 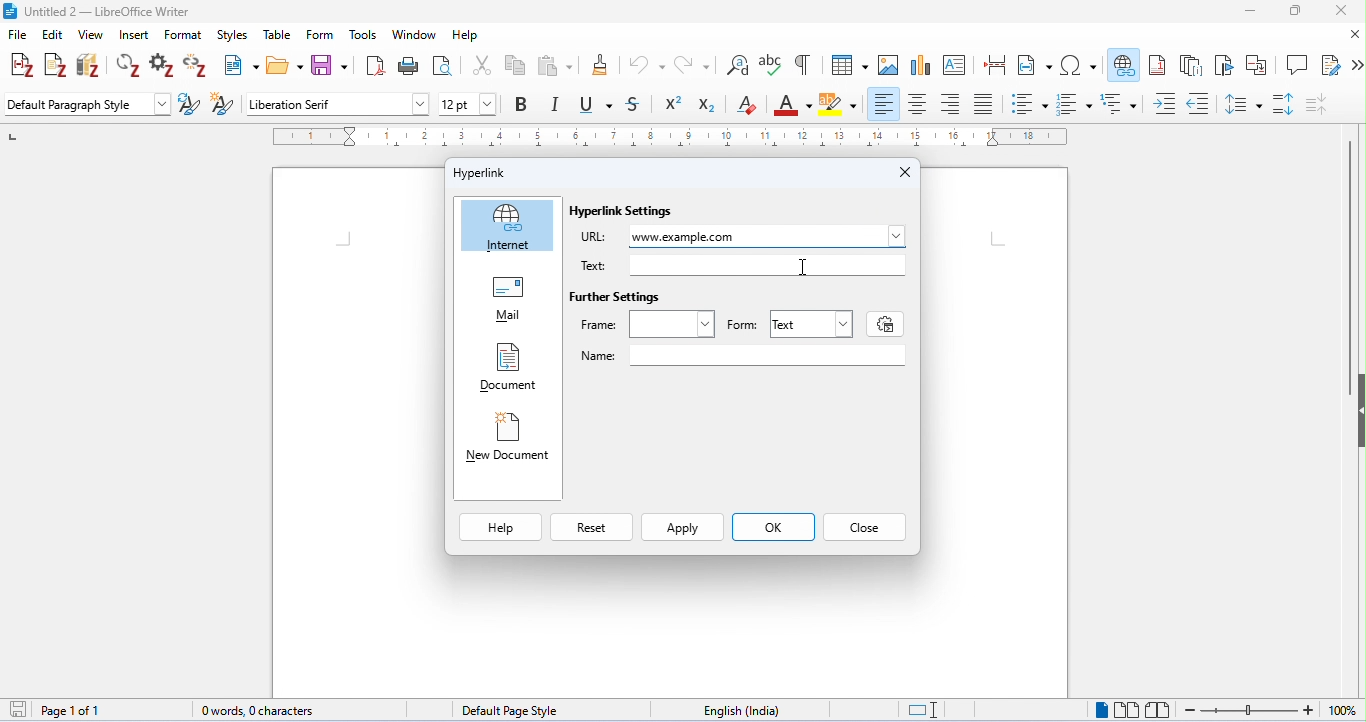 I want to click on clear formatting, so click(x=748, y=105).